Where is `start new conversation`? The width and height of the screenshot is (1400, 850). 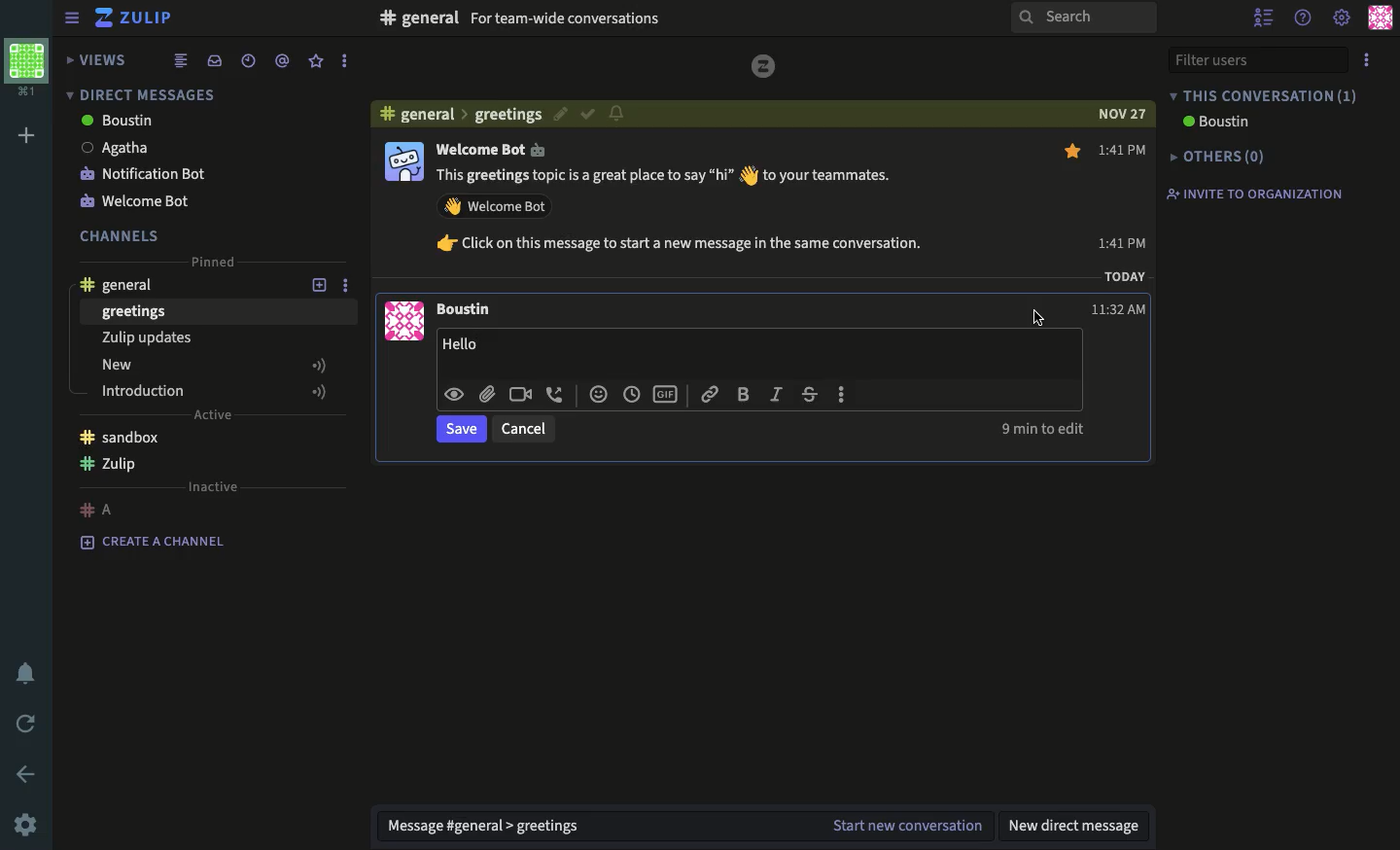 start new conversation is located at coordinates (909, 823).